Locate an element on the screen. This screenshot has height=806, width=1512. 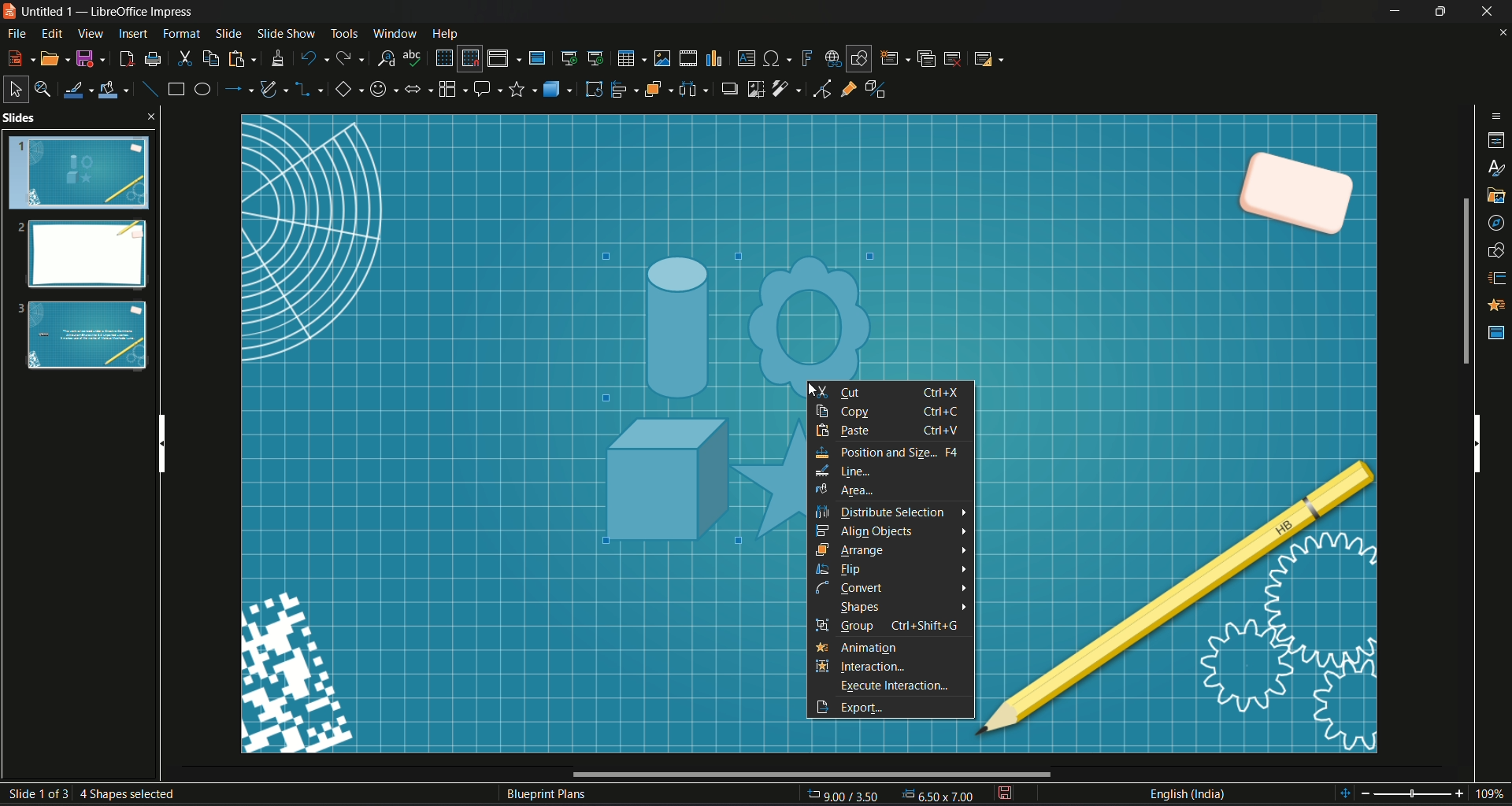
start from first slide is located at coordinates (568, 57).